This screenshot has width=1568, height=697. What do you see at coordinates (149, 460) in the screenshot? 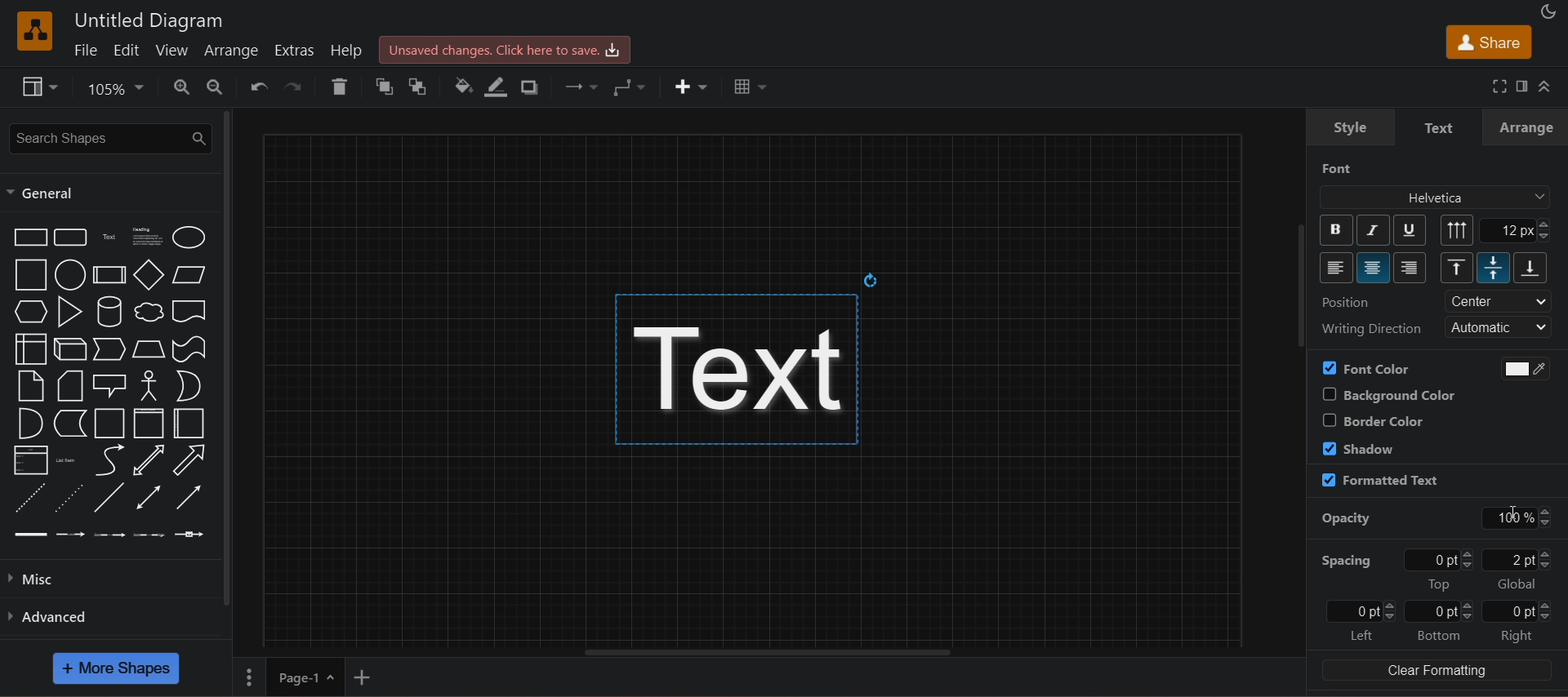
I see `bidirectional arrow` at bounding box center [149, 460].